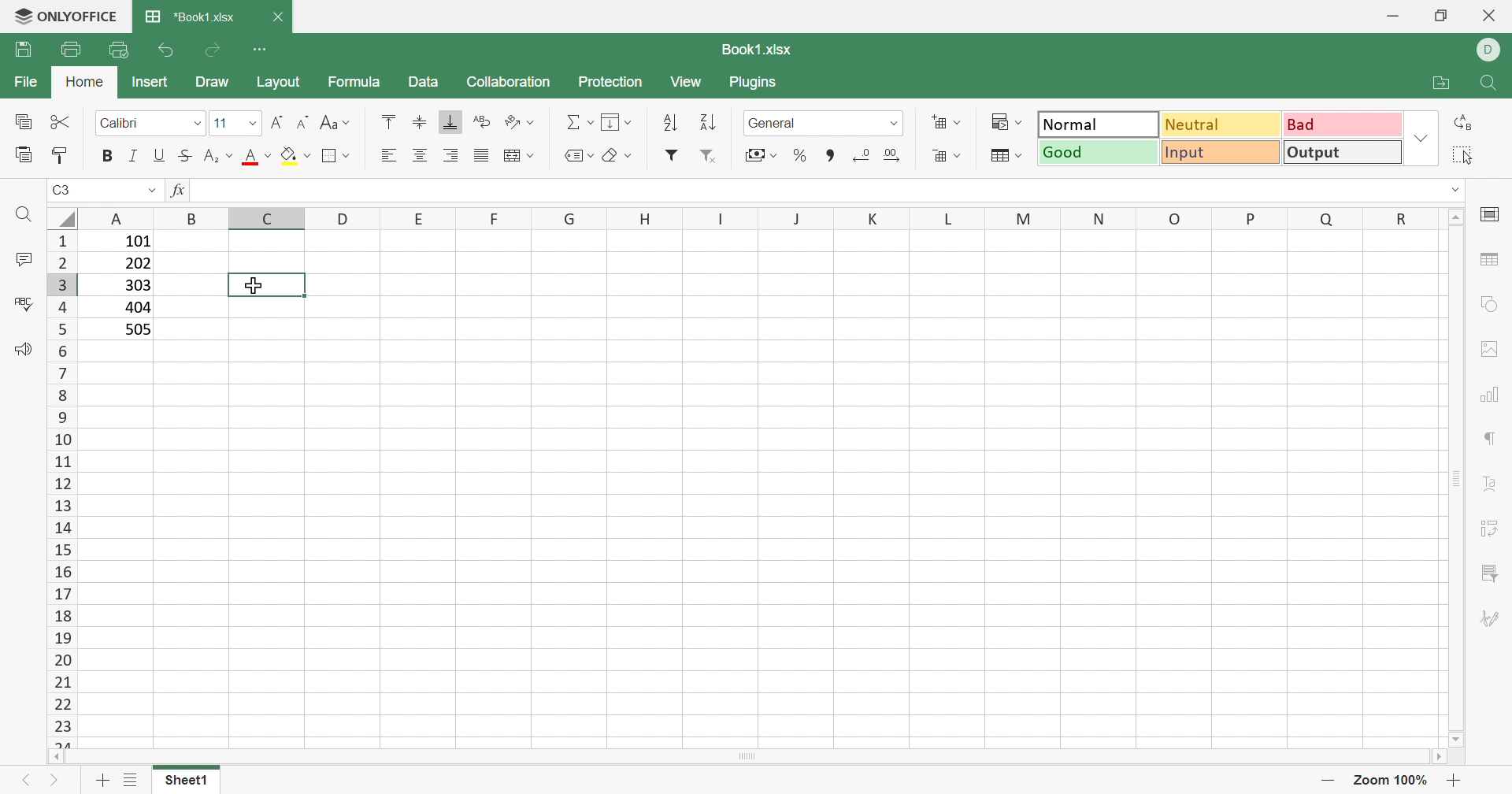  Describe the element at coordinates (200, 124) in the screenshot. I see `Drop Down` at that location.